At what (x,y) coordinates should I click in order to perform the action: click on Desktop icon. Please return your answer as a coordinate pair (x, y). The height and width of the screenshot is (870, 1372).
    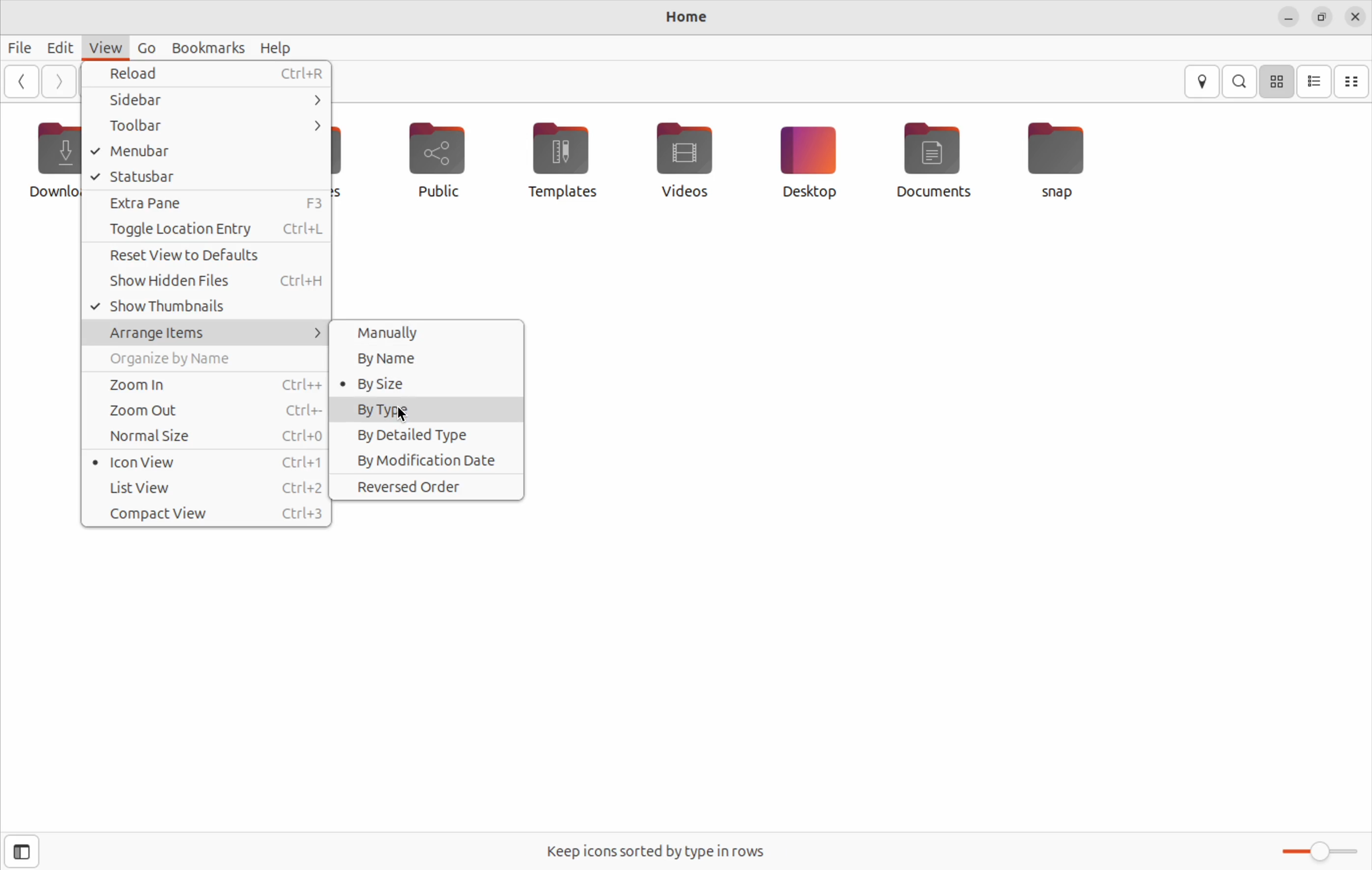
    Looking at the image, I should click on (806, 160).